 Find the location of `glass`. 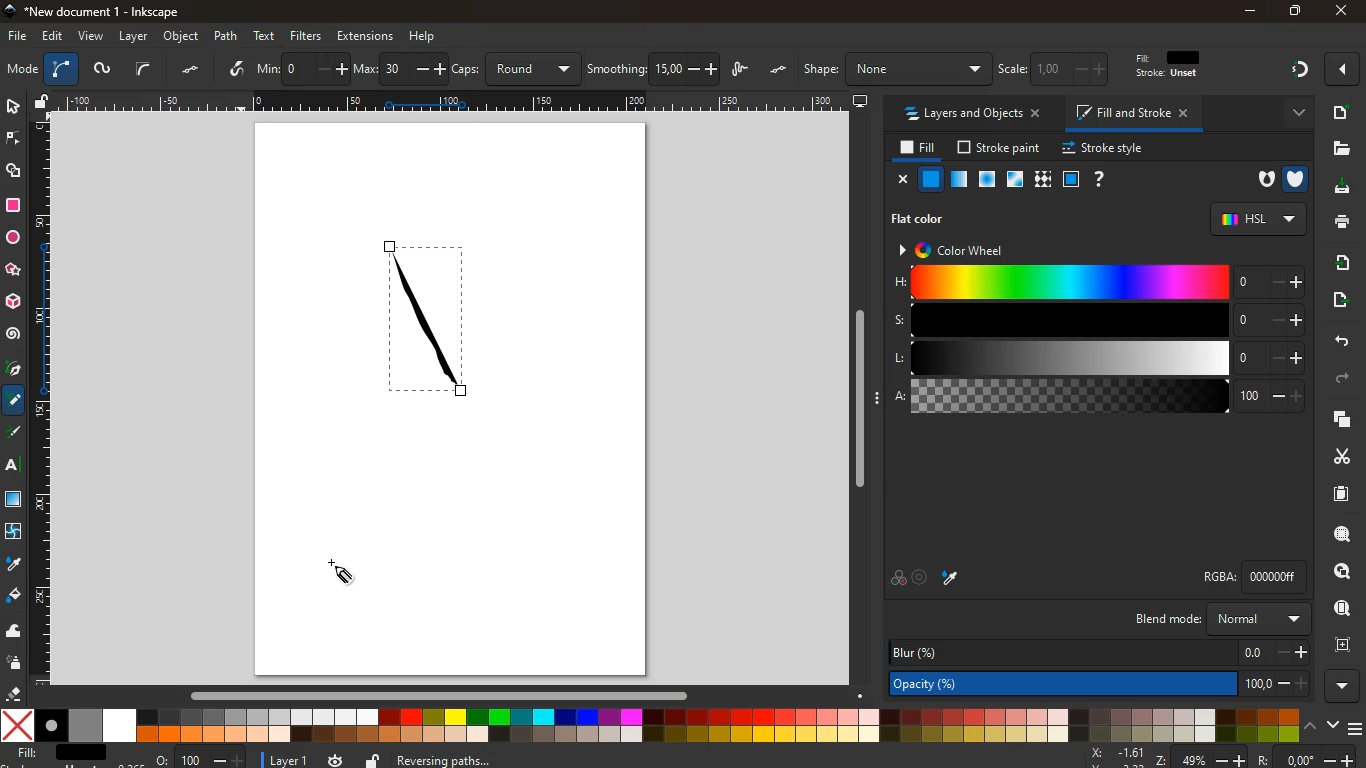

glass is located at coordinates (958, 181).